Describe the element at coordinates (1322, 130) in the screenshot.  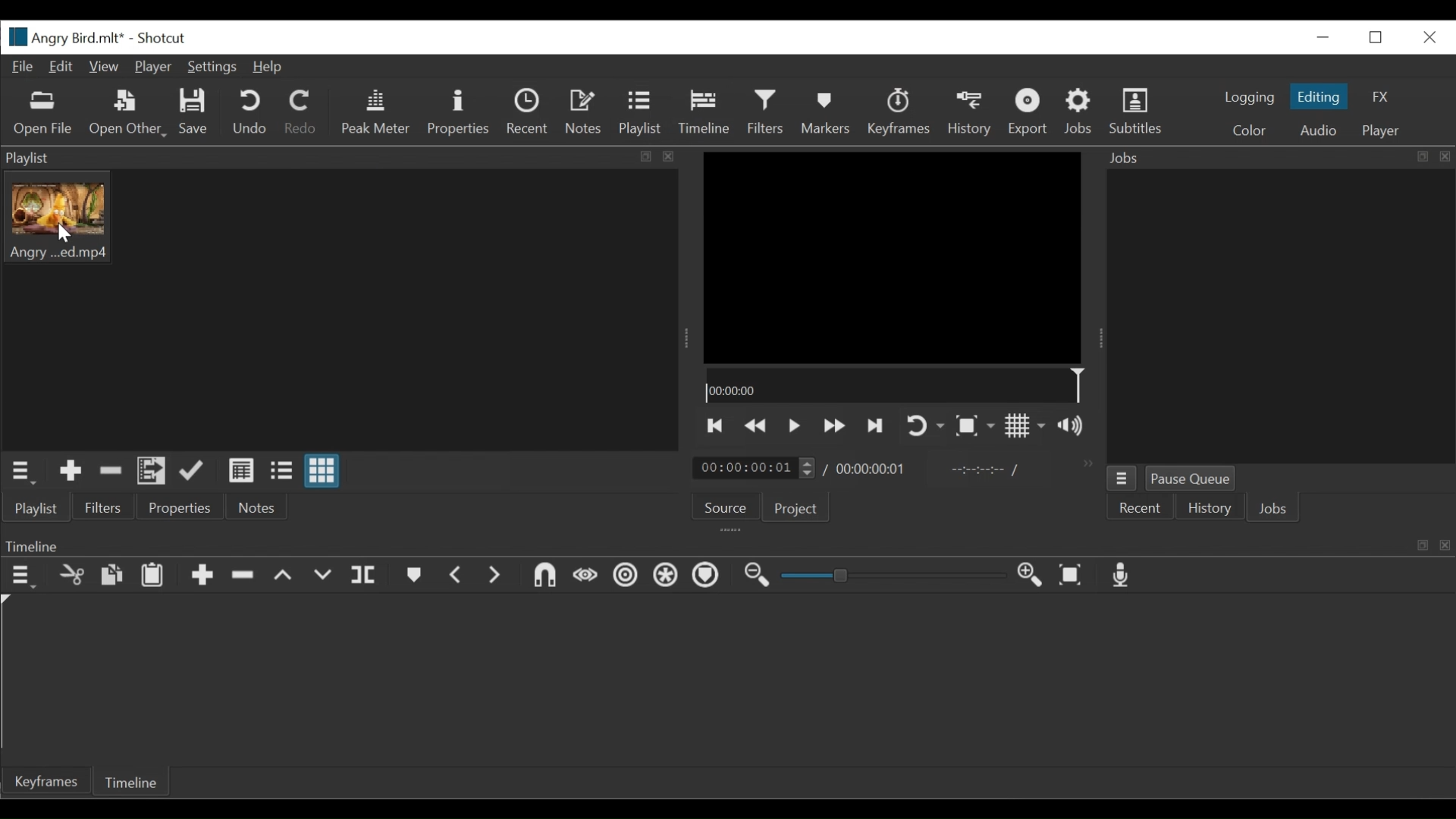
I see `Audio` at that location.